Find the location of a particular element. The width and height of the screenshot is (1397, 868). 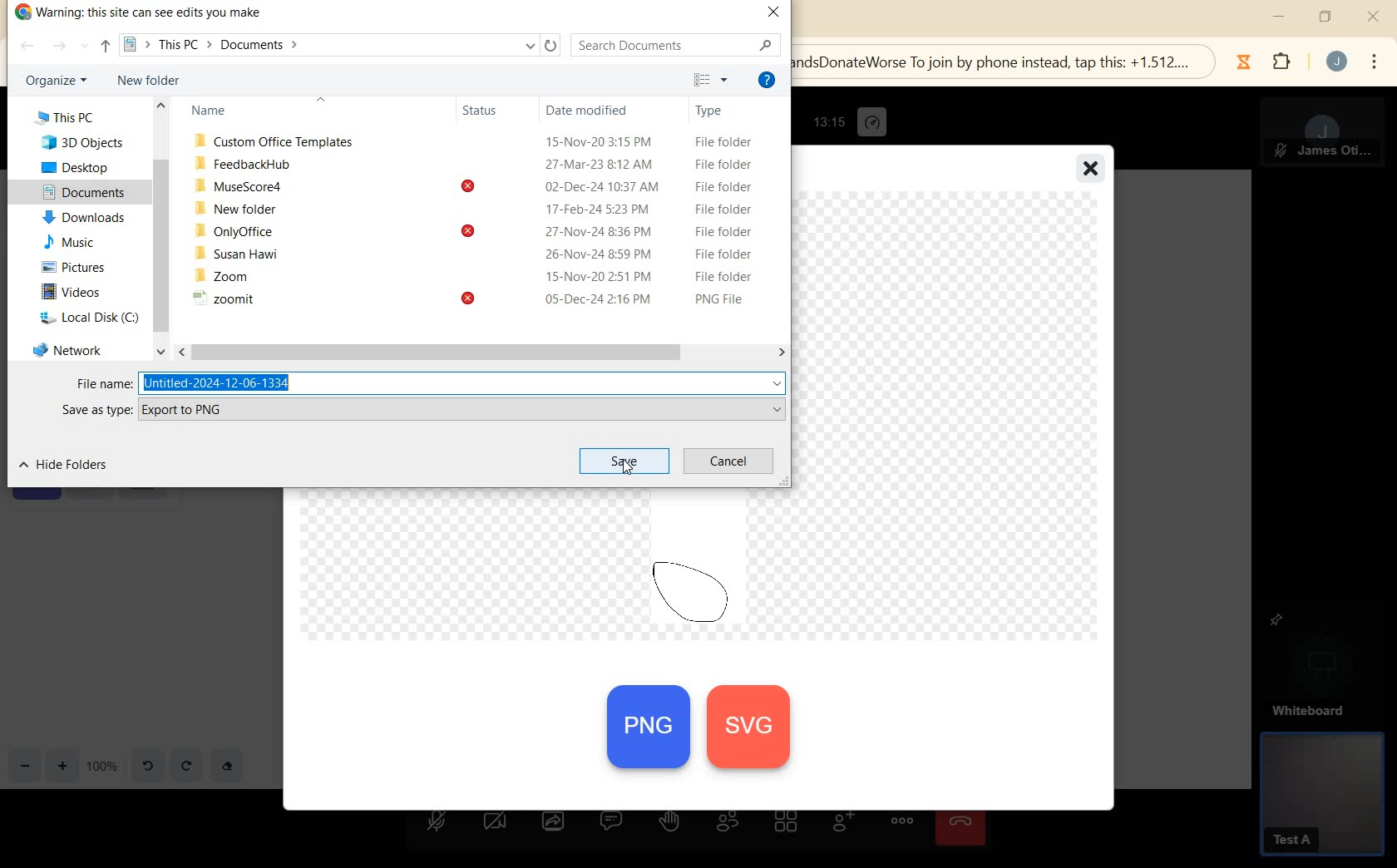

3D Objects is located at coordinates (79, 144).